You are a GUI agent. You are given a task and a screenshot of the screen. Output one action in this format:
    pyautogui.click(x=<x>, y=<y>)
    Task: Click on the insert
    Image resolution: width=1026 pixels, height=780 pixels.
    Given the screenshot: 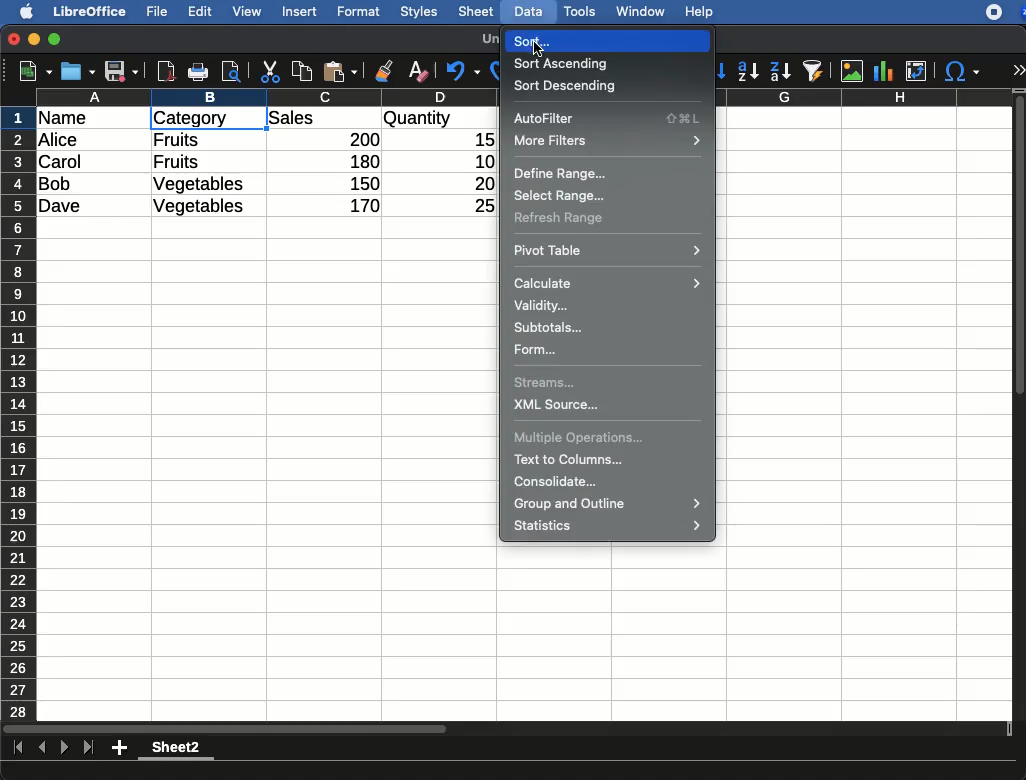 What is the action you would take?
    pyautogui.click(x=300, y=11)
    